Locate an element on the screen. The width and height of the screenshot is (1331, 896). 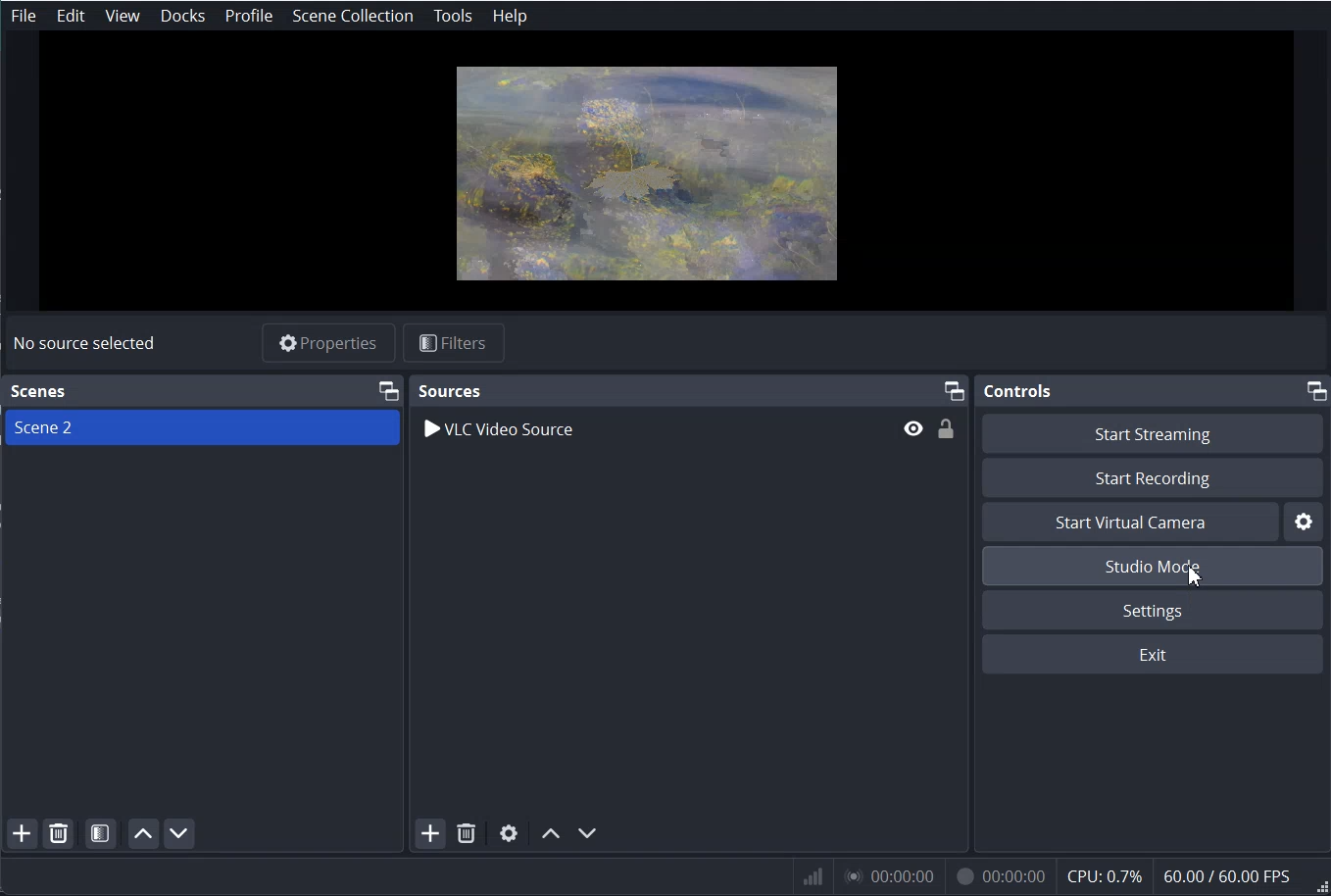
Scene is located at coordinates (41, 391).